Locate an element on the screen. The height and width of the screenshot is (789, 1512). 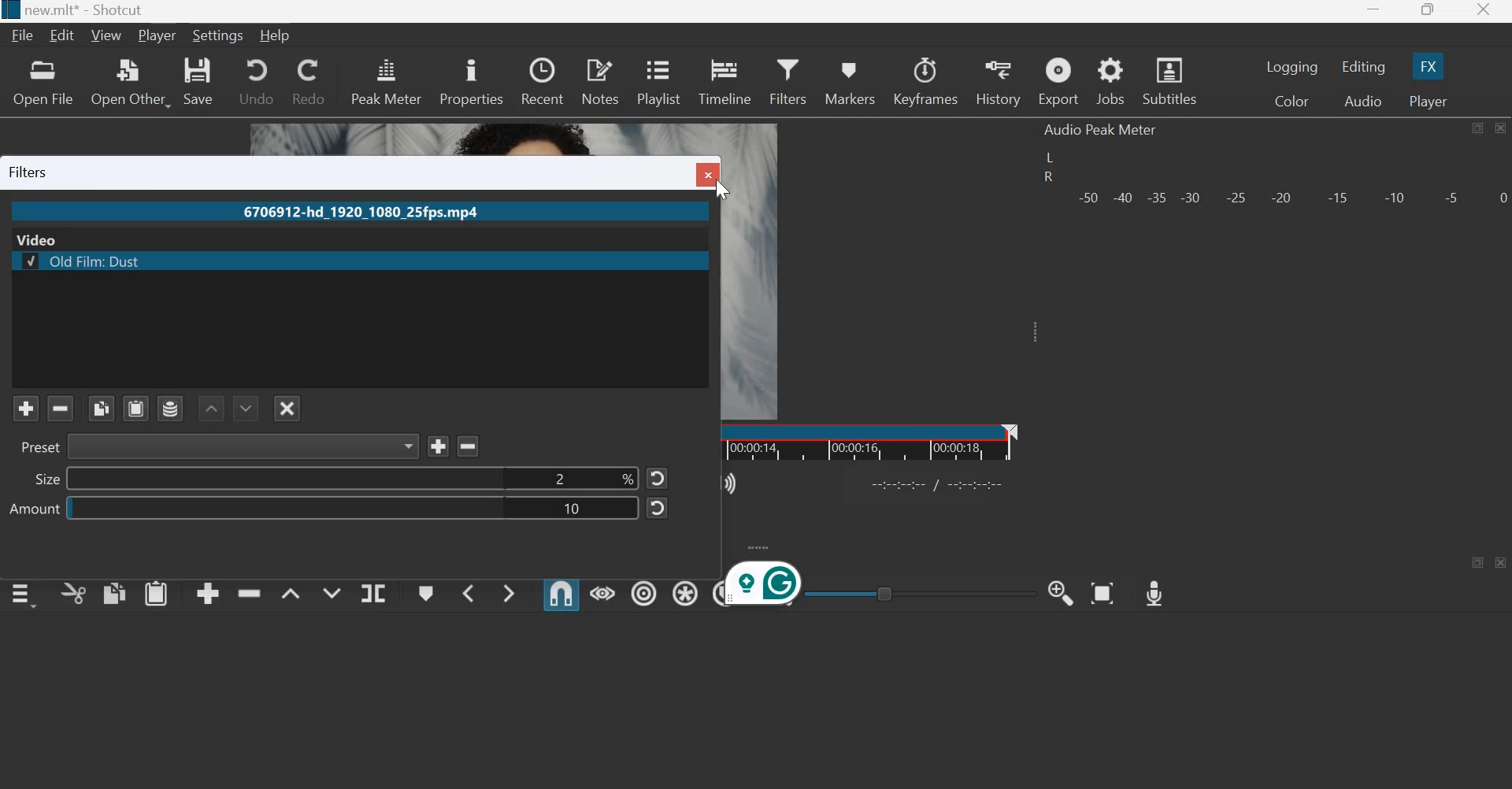
properties is located at coordinates (471, 80).